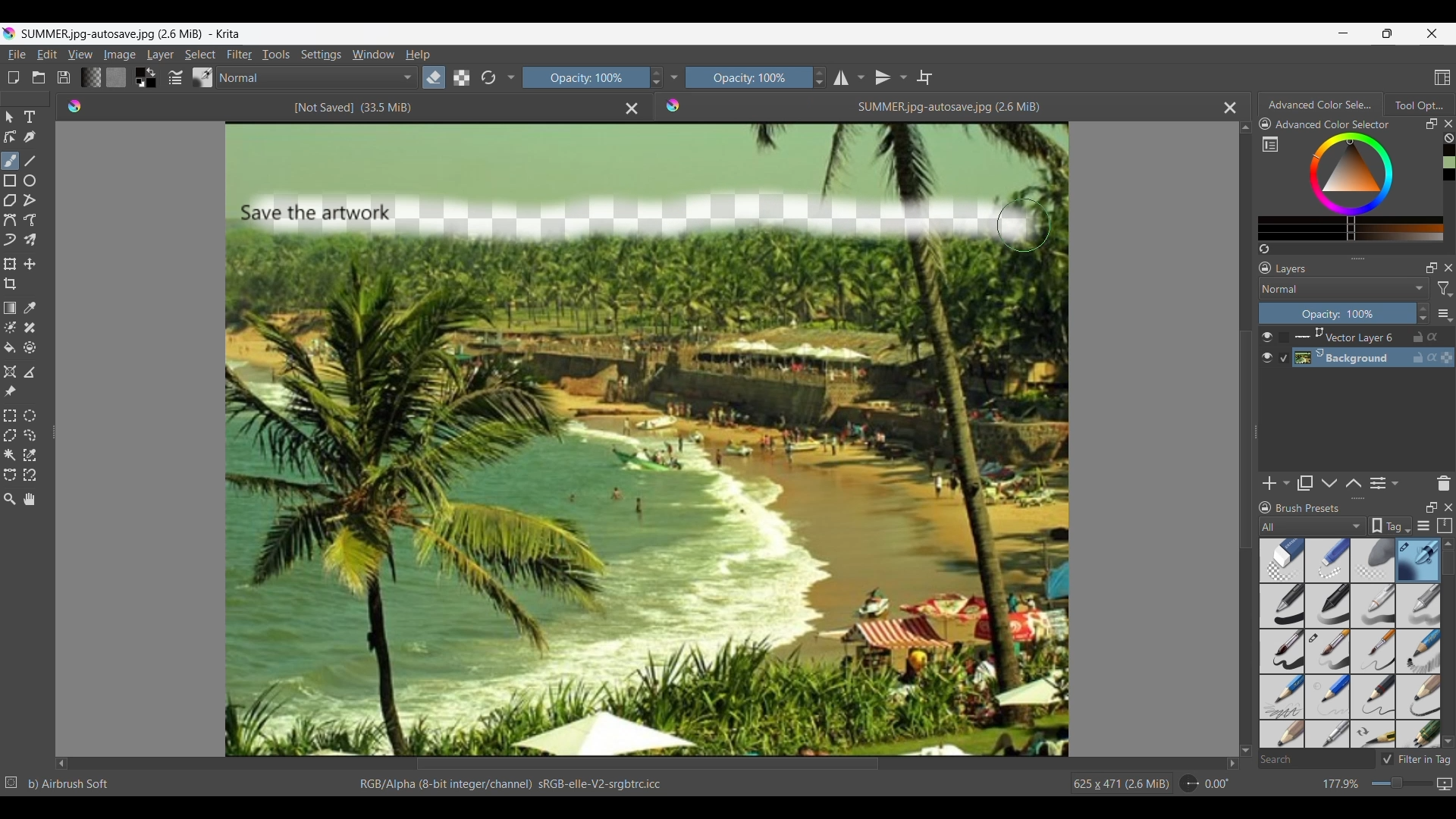  I want to click on Ellipse tool, so click(30, 180).